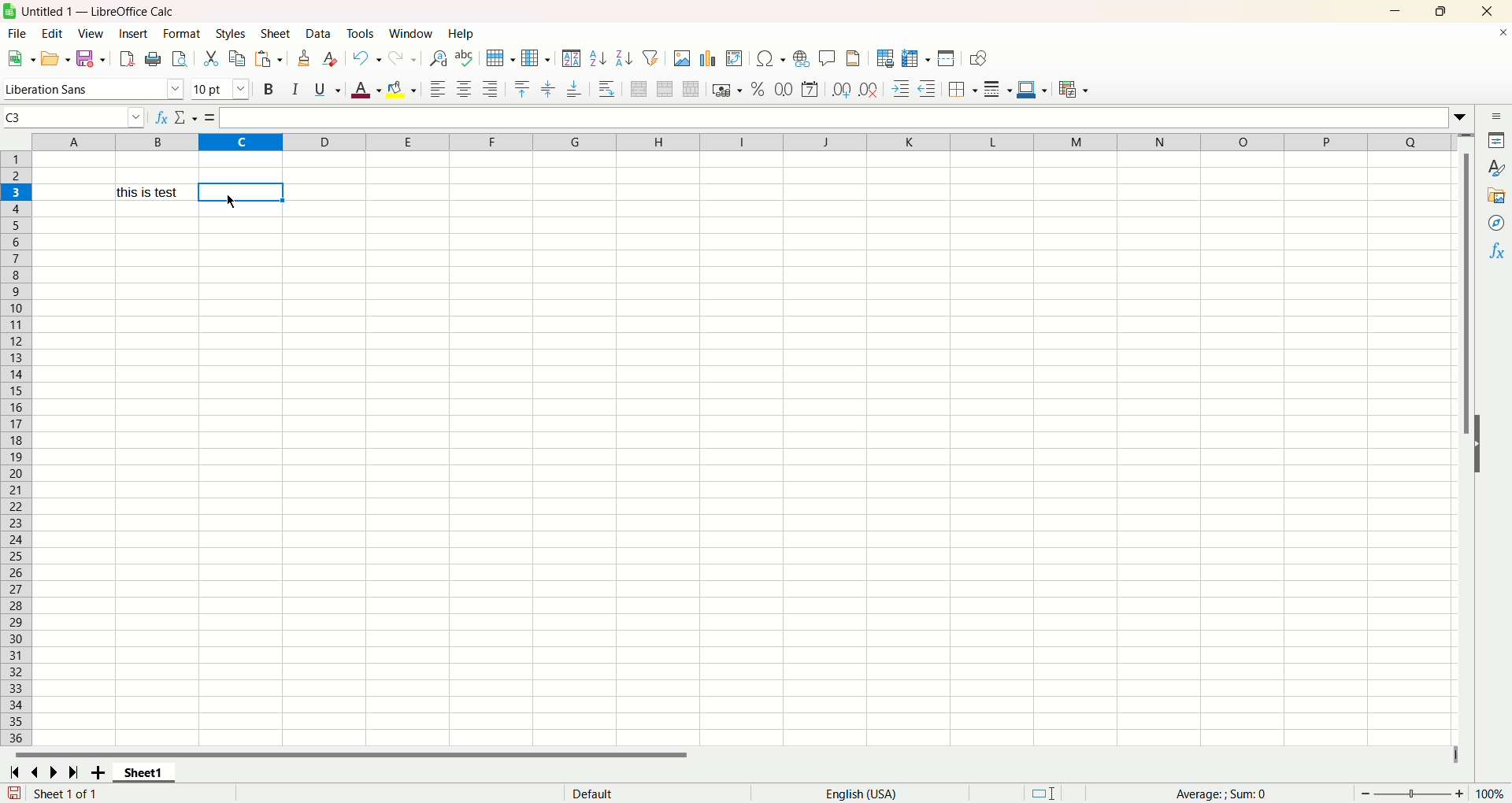  Describe the element at coordinates (928, 87) in the screenshot. I see `decrease indent` at that location.